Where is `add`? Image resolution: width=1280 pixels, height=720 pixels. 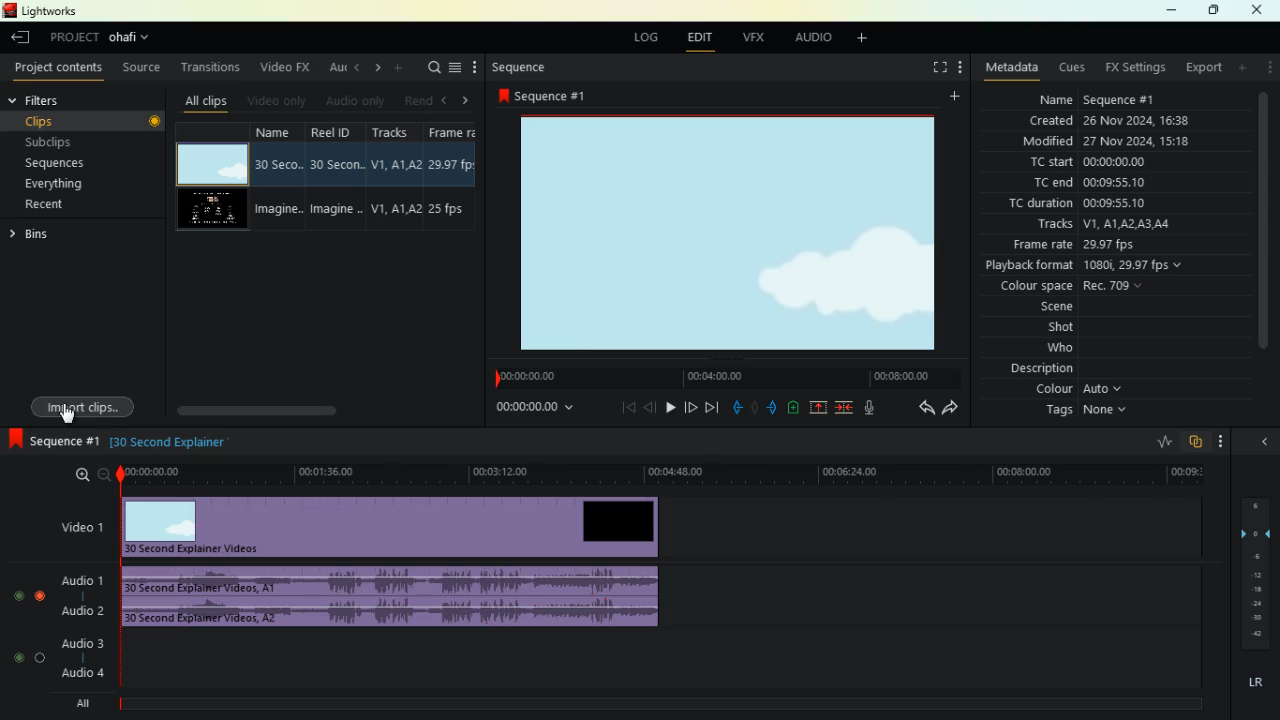 add is located at coordinates (959, 96).